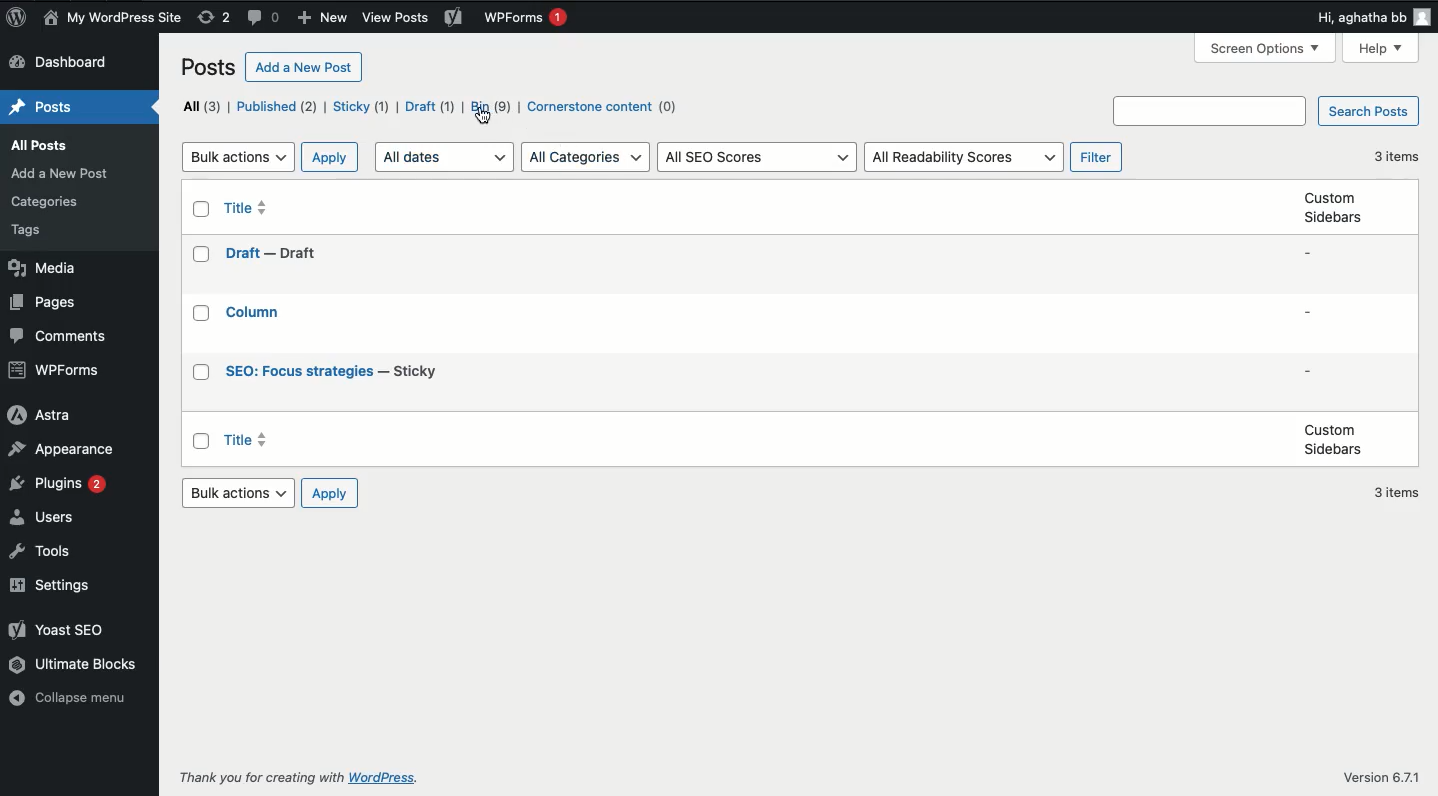 This screenshot has width=1438, height=796. Describe the element at coordinates (1373, 17) in the screenshot. I see `Hi user` at that location.